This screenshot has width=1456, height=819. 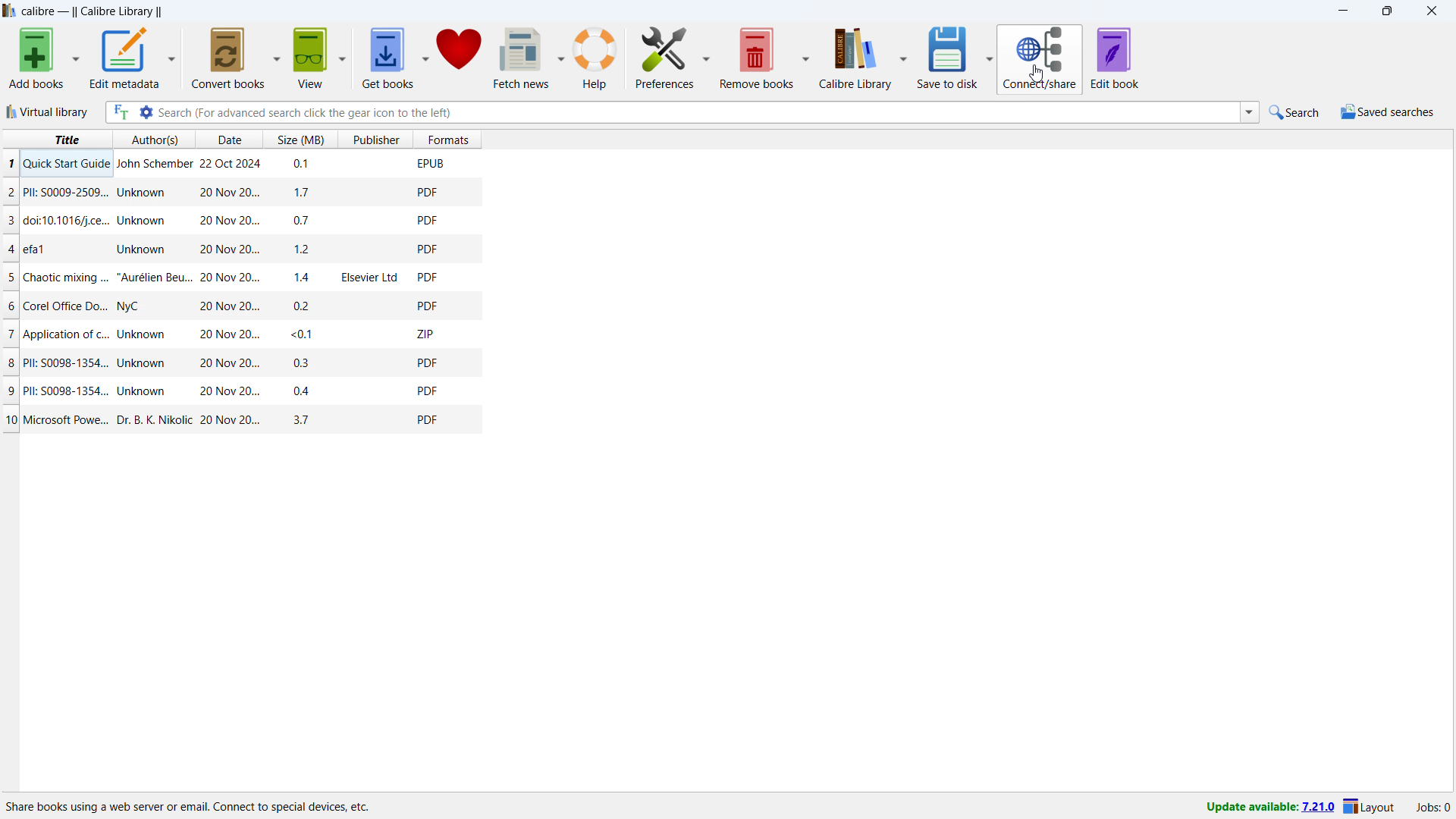 I want to click on one book entry, so click(x=240, y=221).